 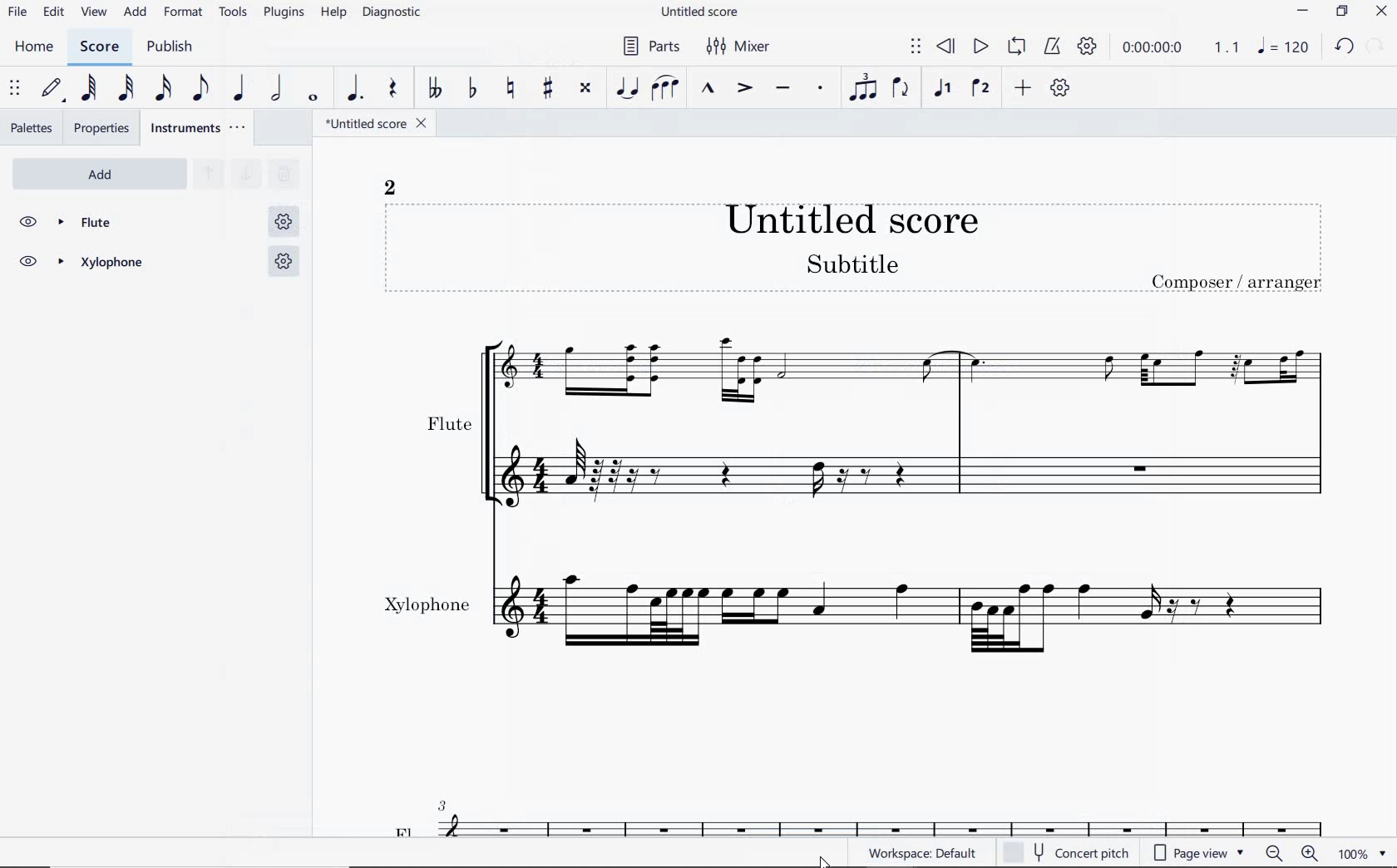 I want to click on PARTS, so click(x=649, y=46).